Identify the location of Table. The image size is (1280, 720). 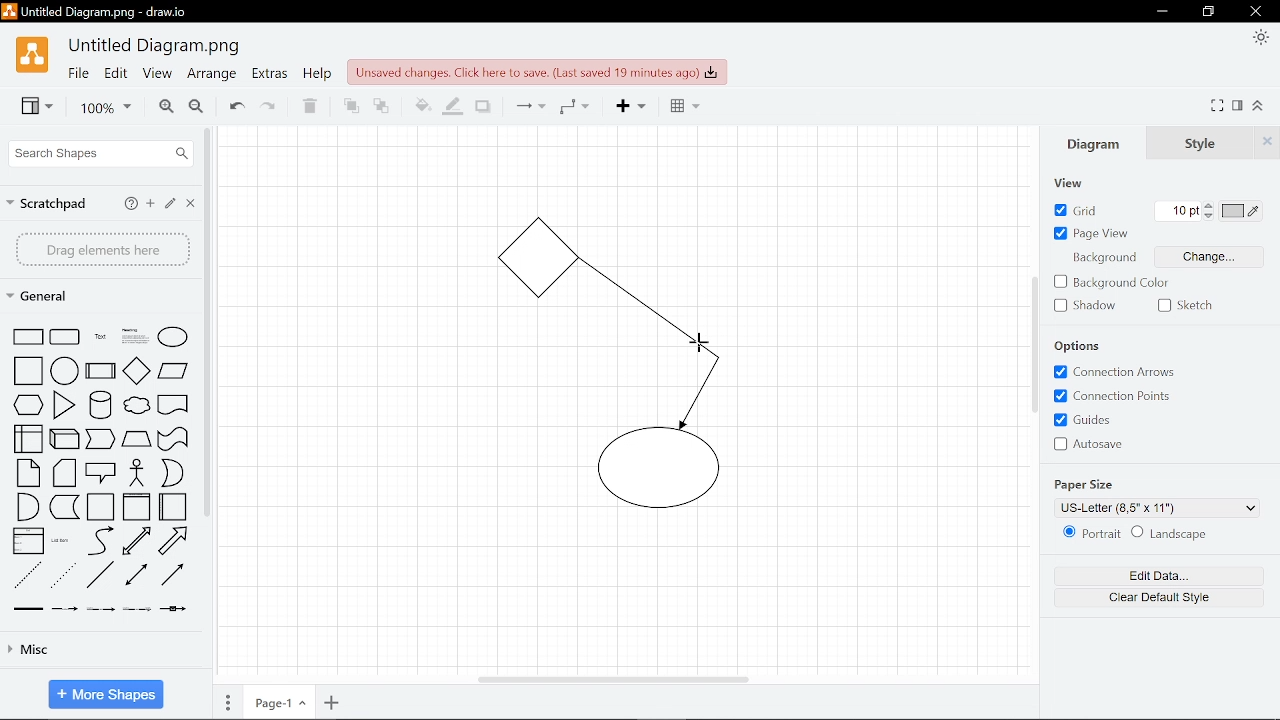
(680, 108).